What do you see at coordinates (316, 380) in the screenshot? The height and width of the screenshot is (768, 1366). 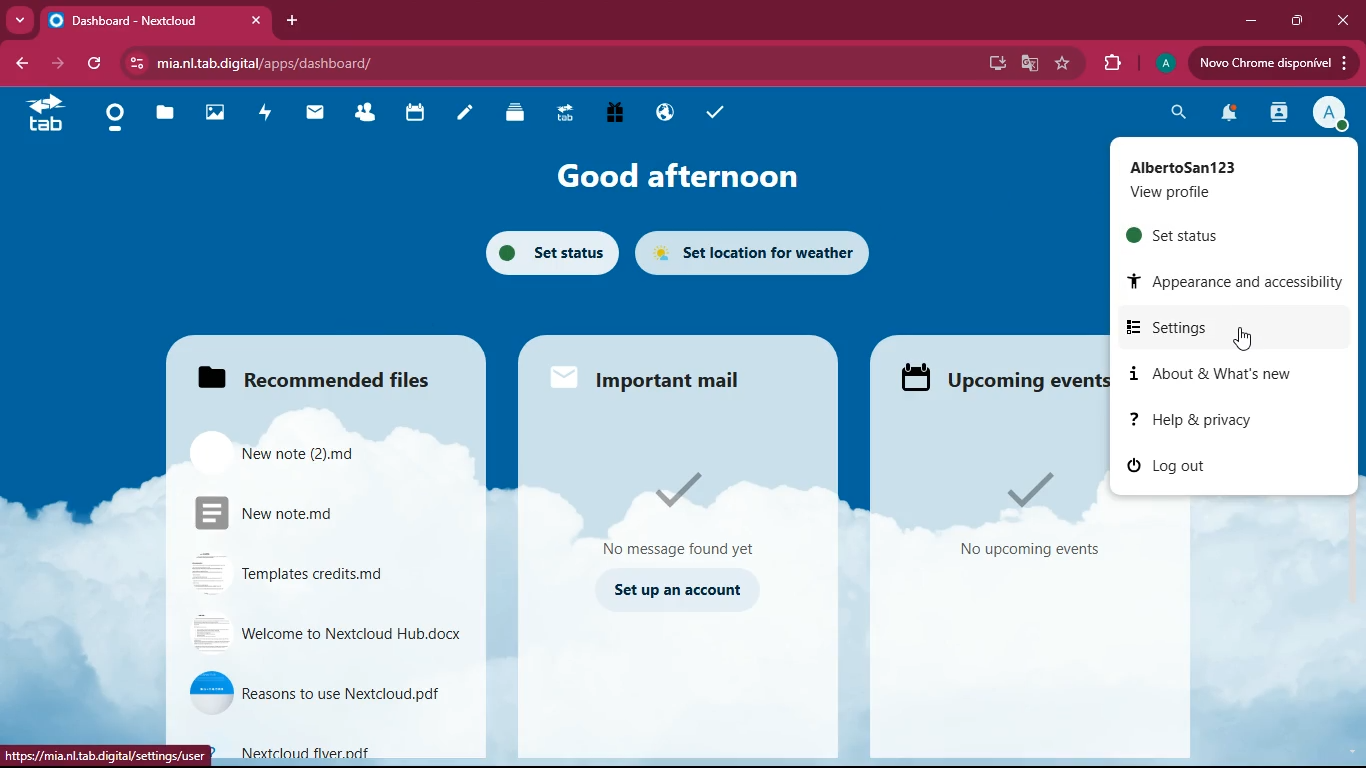 I see `files` at bounding box center [316, 380].